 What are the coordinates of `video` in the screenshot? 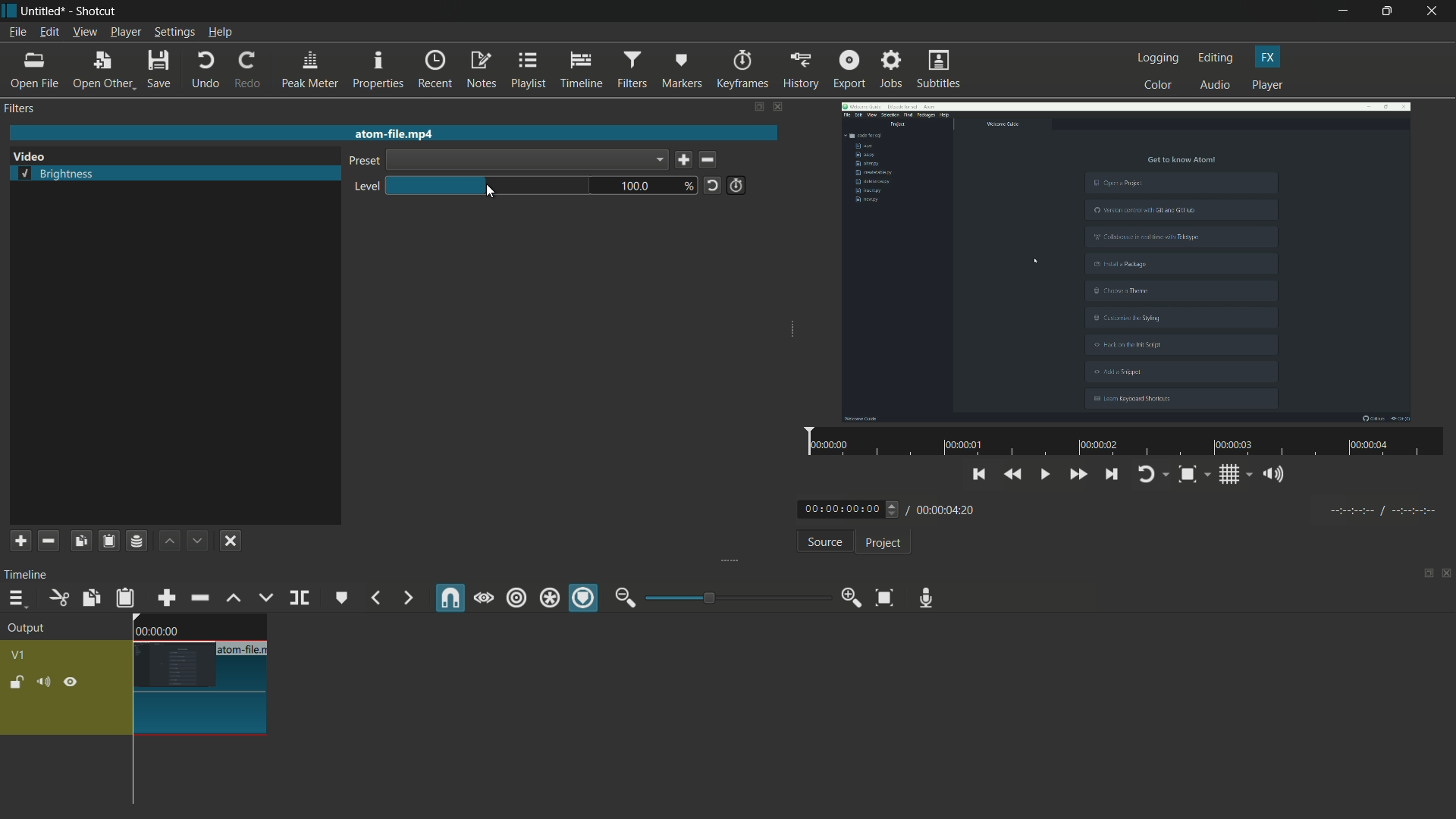 It's located at (29, 157).